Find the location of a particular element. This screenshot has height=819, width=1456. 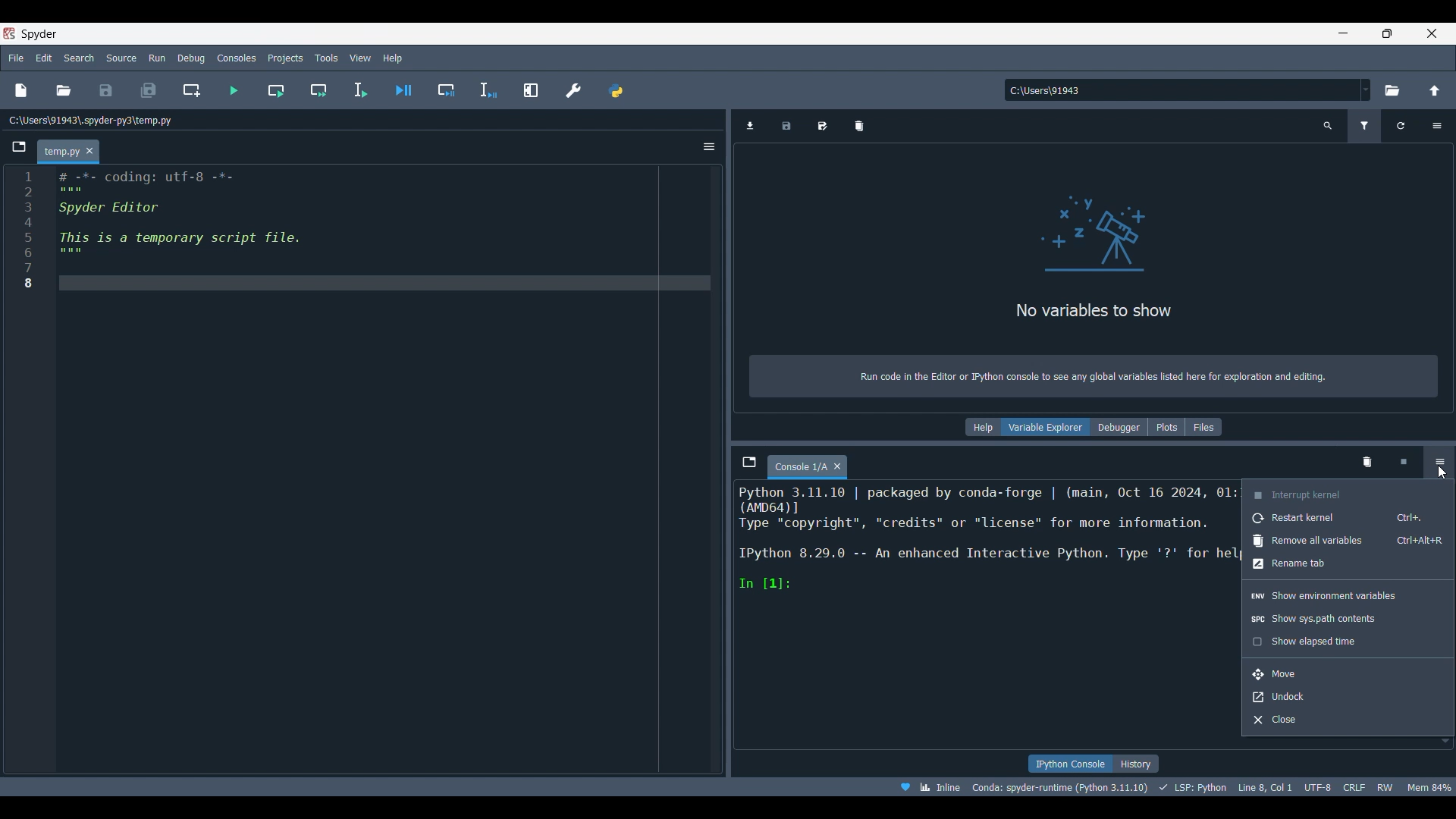

Browse tabs is located at coordinates (749, 462).